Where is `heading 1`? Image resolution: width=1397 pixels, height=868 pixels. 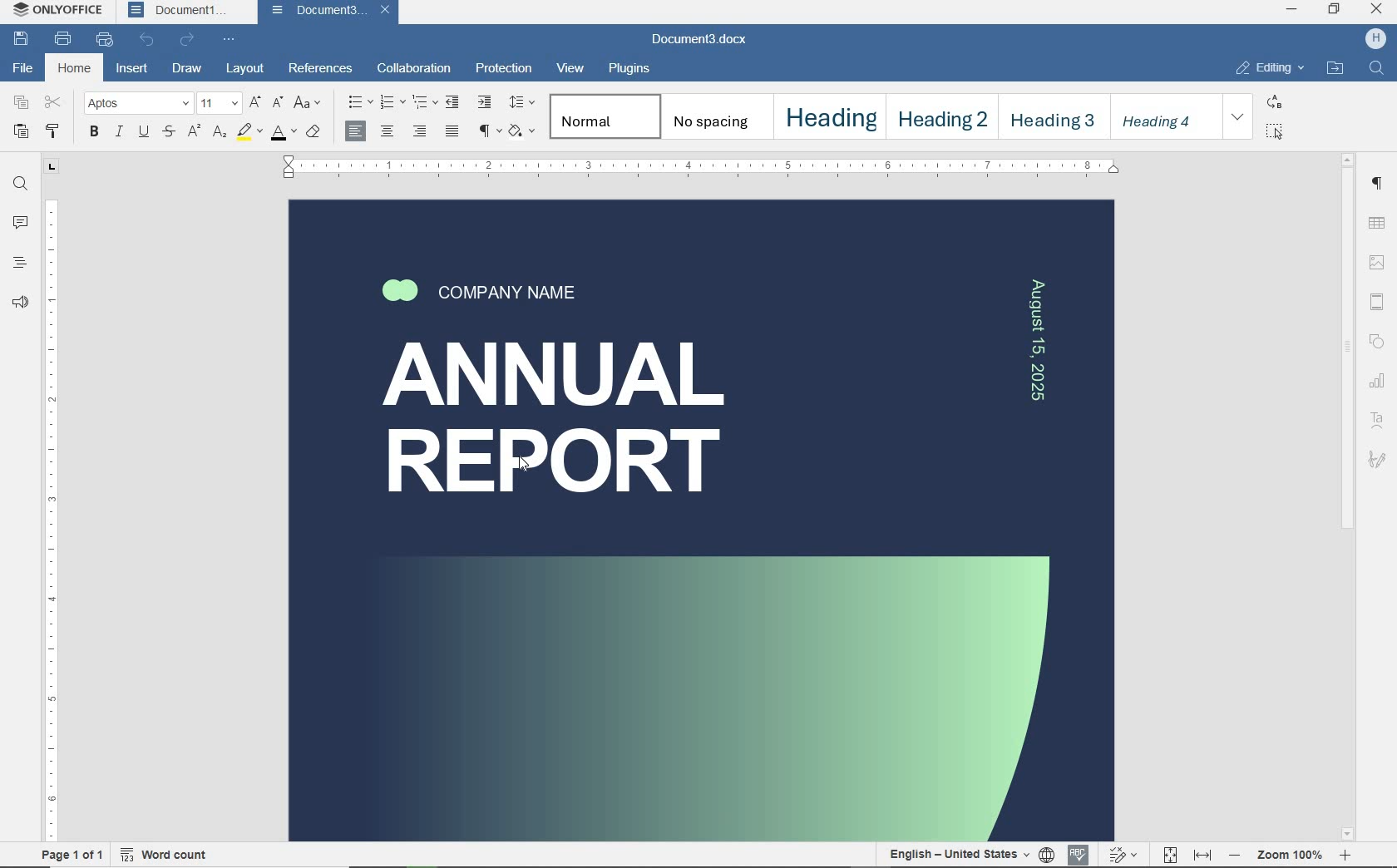
heading 1 is located at coordinates (827, 116).